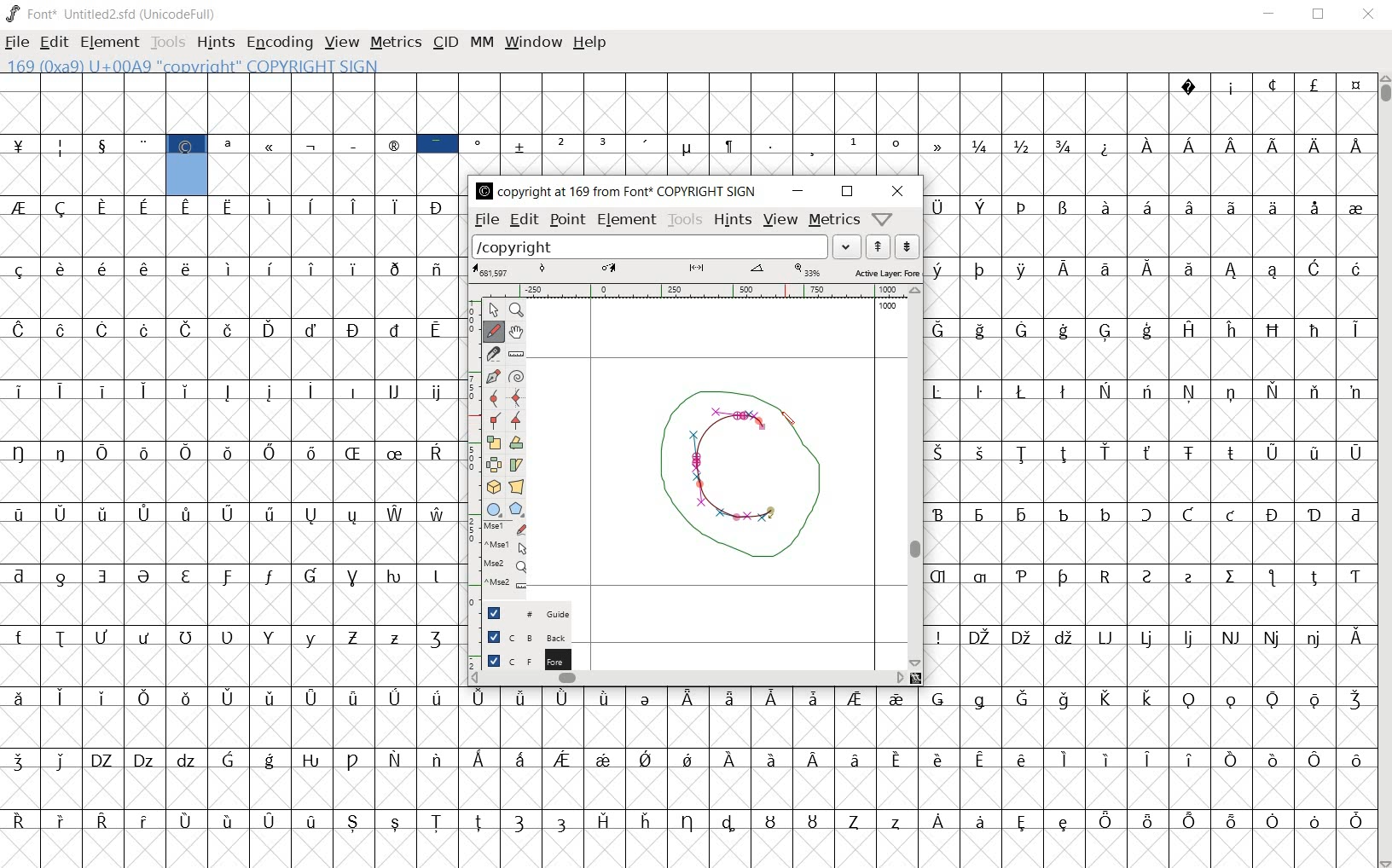 Image resolution: width=1392 pixels, height=868 pixels. What do you see at coordinates (279, 43) in the screenshot?
I see `Encoding` at bounding box center [279, 43].